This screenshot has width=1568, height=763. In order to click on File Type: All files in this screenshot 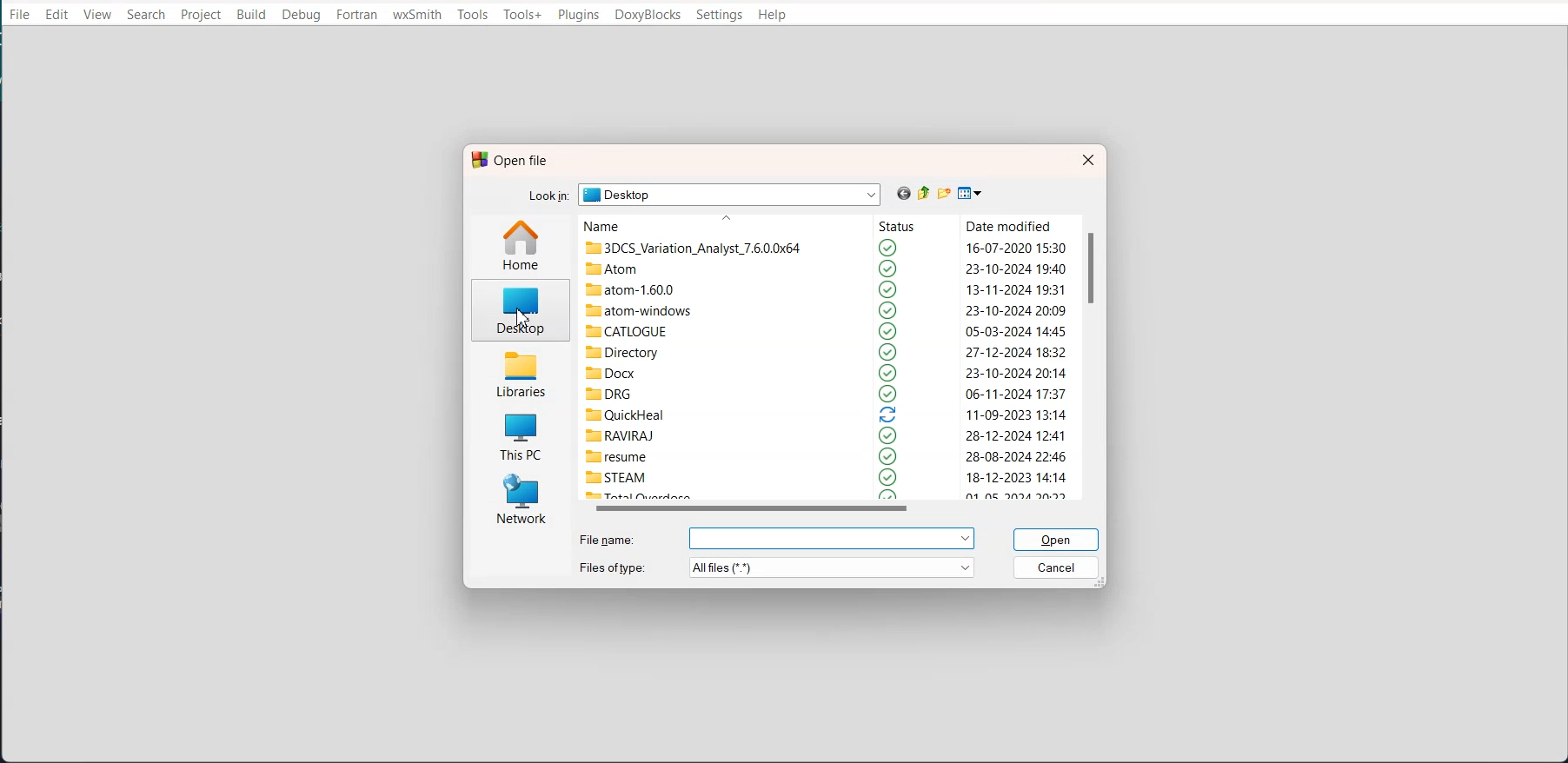, I will do `click(778, 567)`.